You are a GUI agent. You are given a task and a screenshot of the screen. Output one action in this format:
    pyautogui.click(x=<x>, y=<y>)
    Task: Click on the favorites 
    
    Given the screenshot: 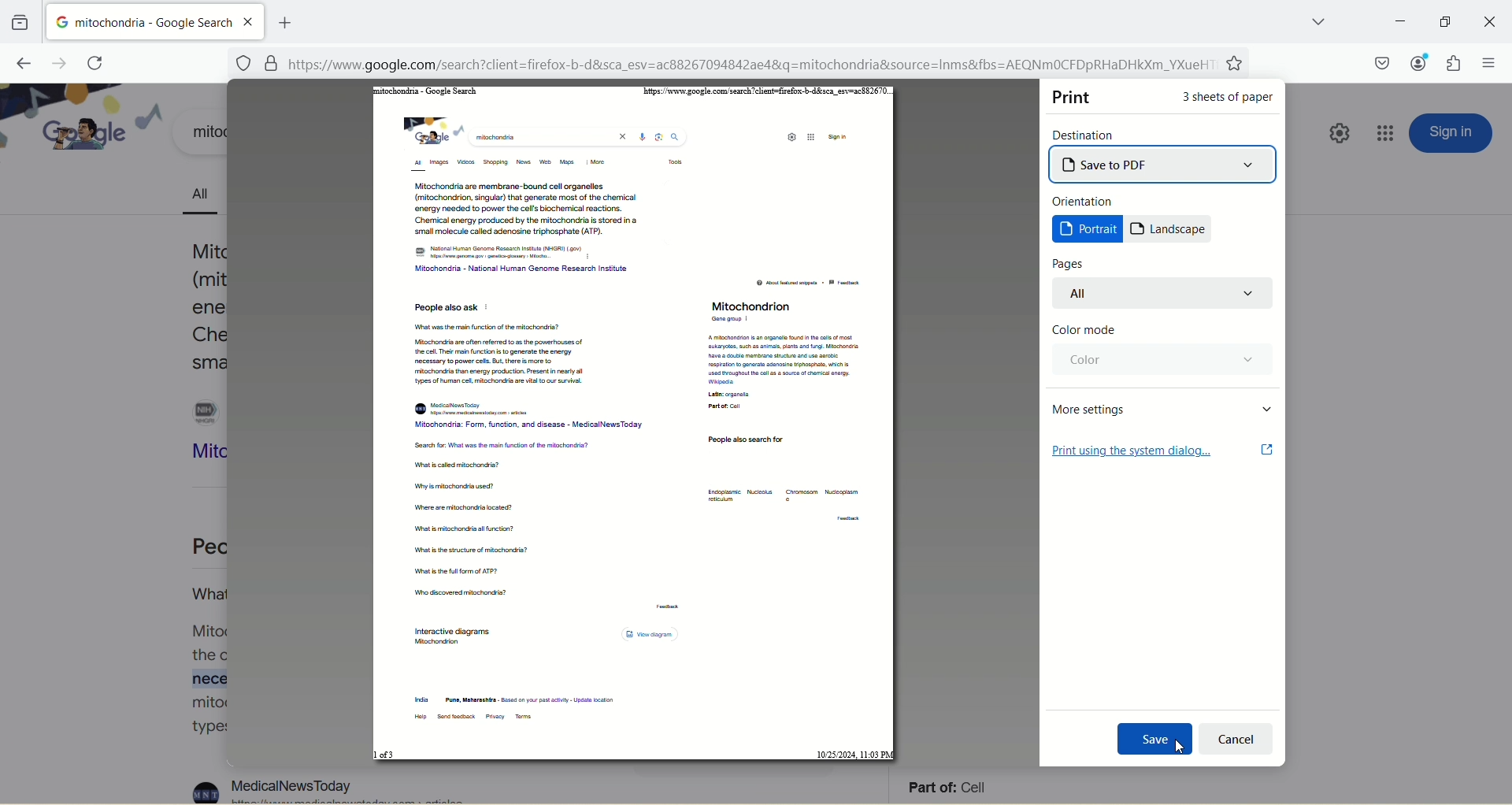 What is the action you would take?
    pyautogui.click(x=1237, y=65)
    